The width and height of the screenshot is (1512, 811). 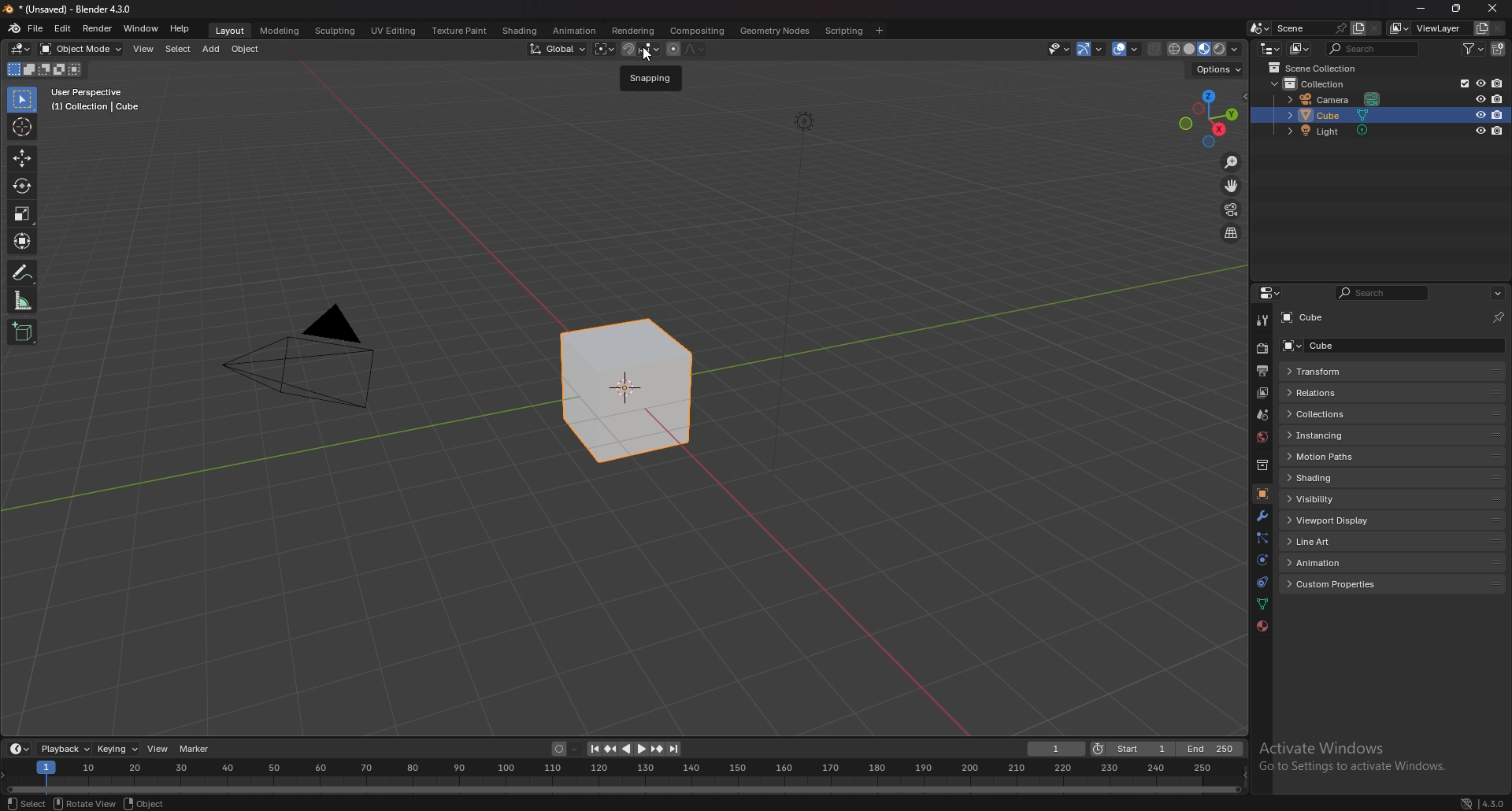 What do you see at coordinates (1208, 750) in the screenshot?
I see `end` at bounding box center [1208, 750].